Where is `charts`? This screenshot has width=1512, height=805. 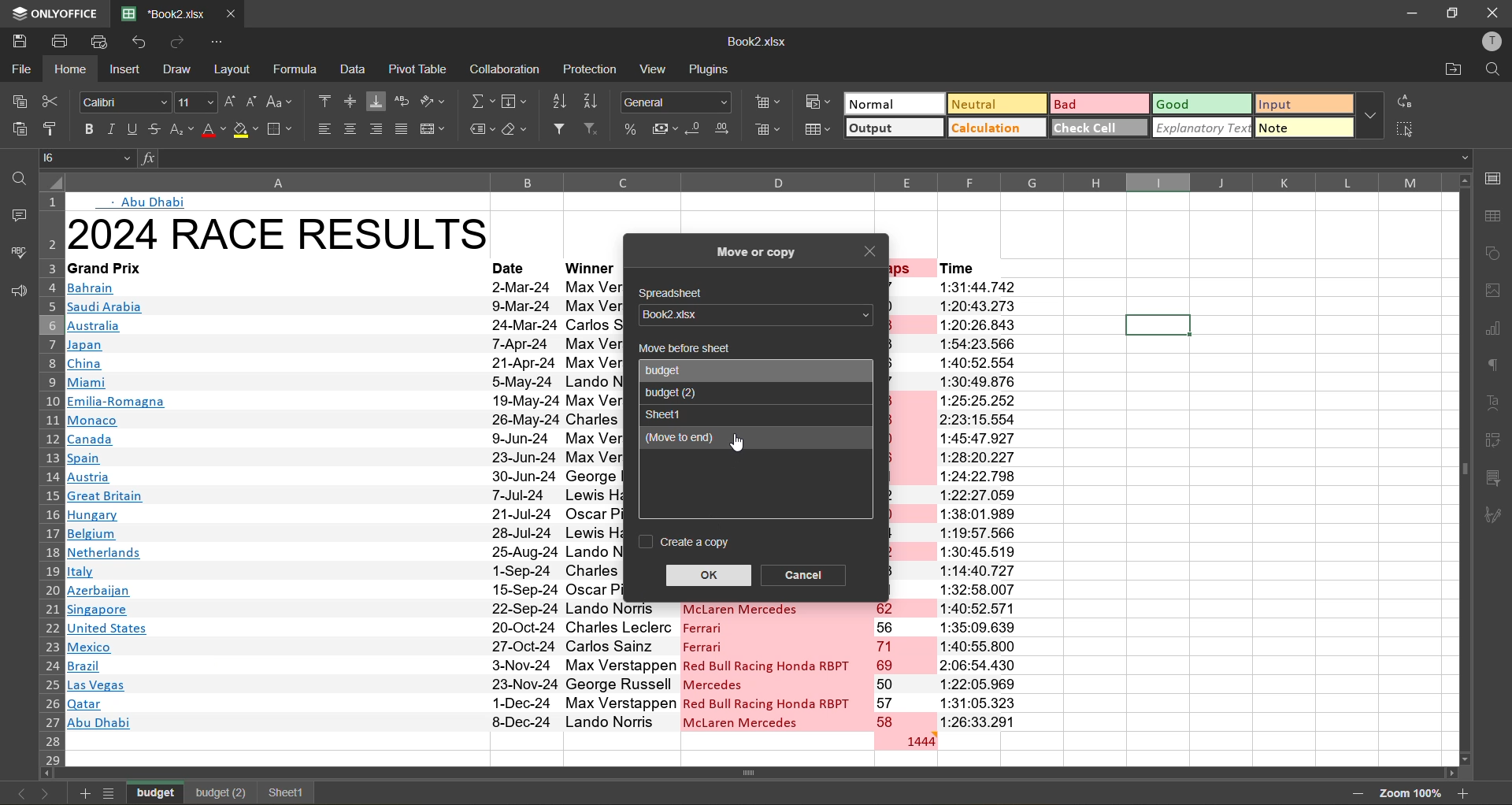 charts is located at coordinates (1495, 331).